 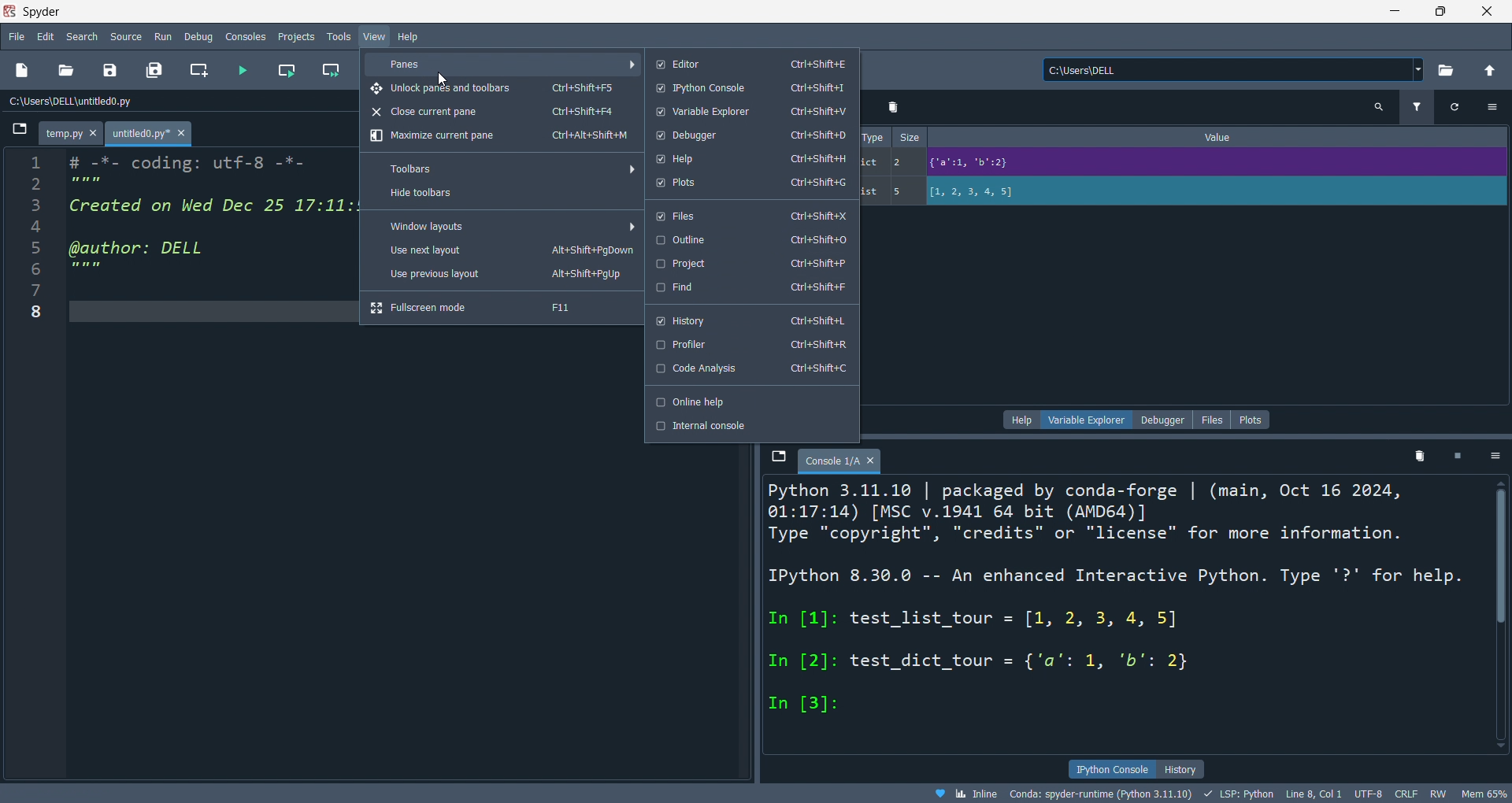 What do you see at coordinates (20, 132) in the screenshot?
I see `browse tabs` at bounding box center [20, 132].